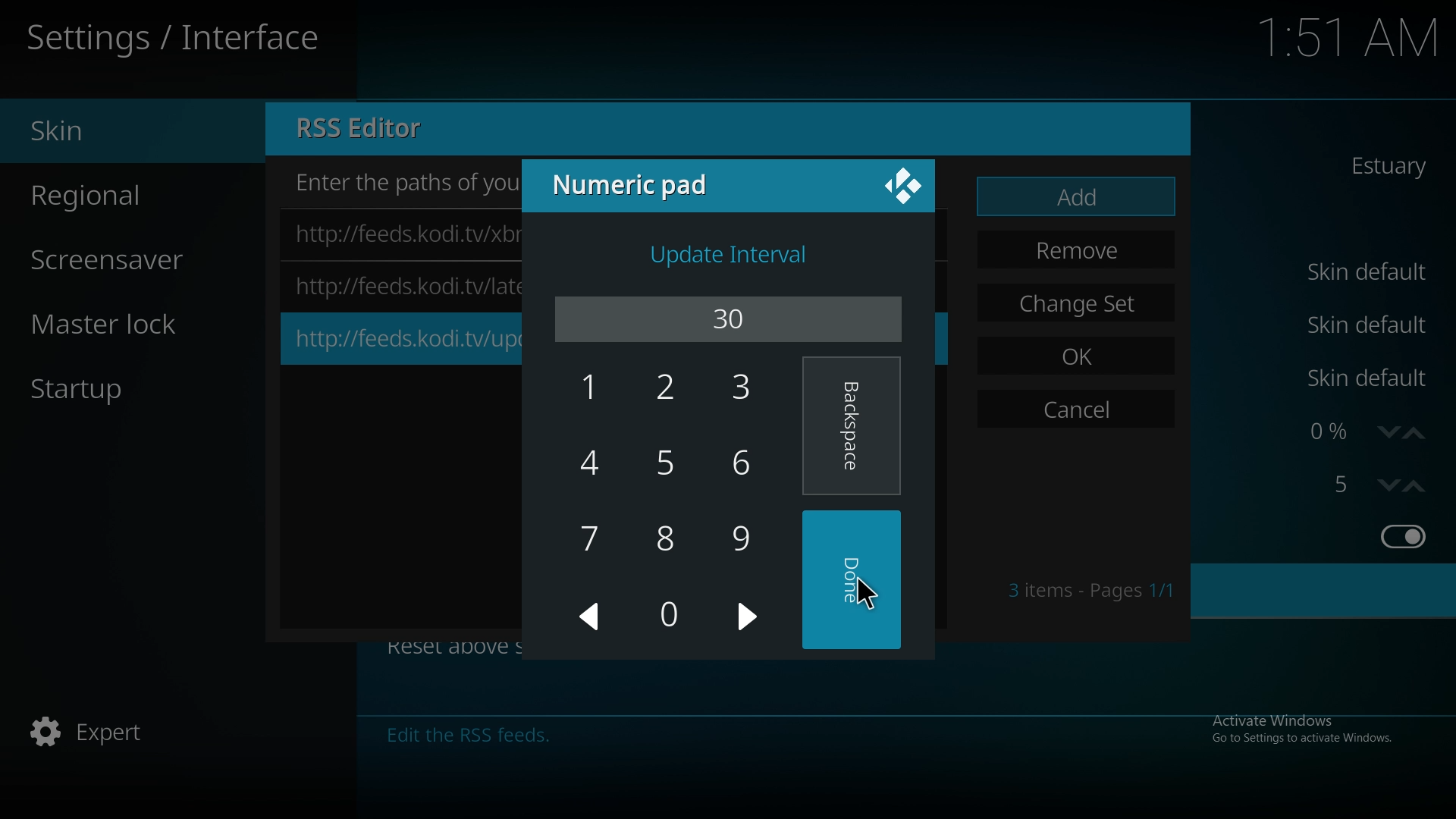 This screenshot has width=1456, height=819. I want to click on Activate windows, go to settings to activate windows, so click(1298, 726).